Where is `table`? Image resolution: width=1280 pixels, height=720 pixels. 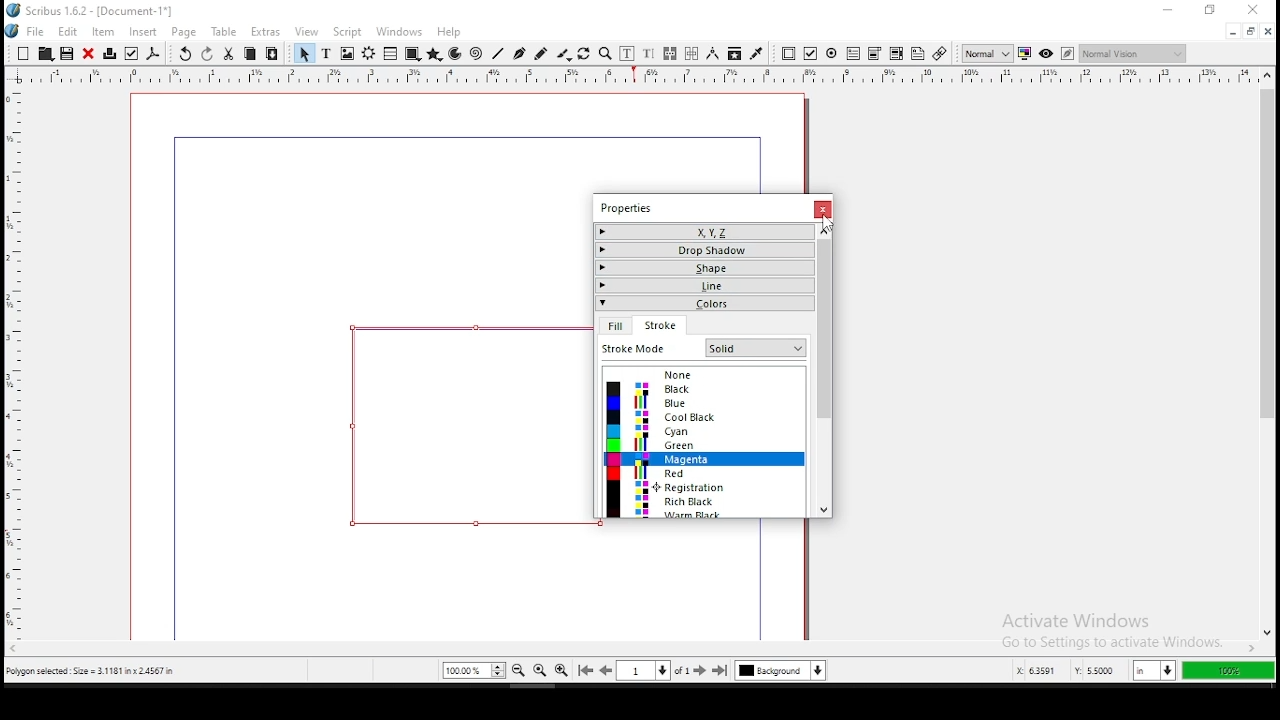
table is located at coordinates (225, 32).